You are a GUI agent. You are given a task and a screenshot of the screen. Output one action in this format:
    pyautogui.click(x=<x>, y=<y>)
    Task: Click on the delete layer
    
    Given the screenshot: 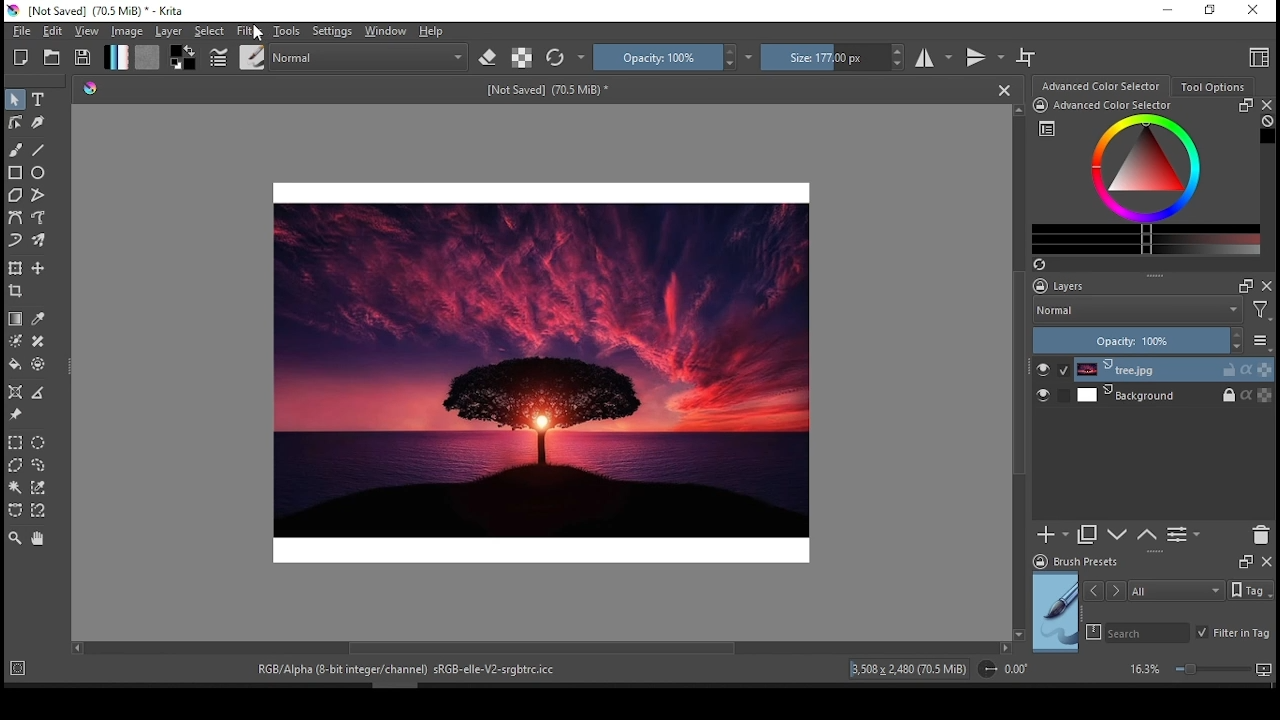 What is the action you would take?
    pyautogui.click(x=1262, y=533)
    